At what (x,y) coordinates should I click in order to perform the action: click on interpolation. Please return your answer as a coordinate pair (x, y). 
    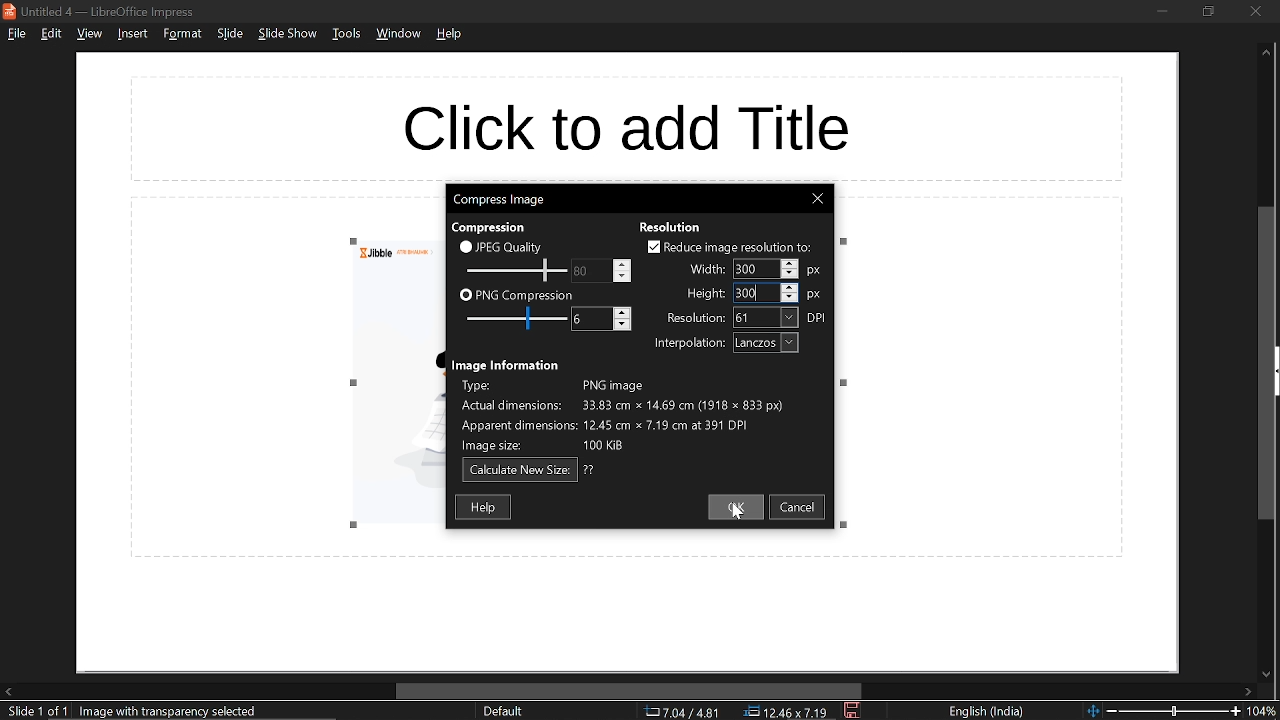
    Looking at the image, I should click on (765, 343).